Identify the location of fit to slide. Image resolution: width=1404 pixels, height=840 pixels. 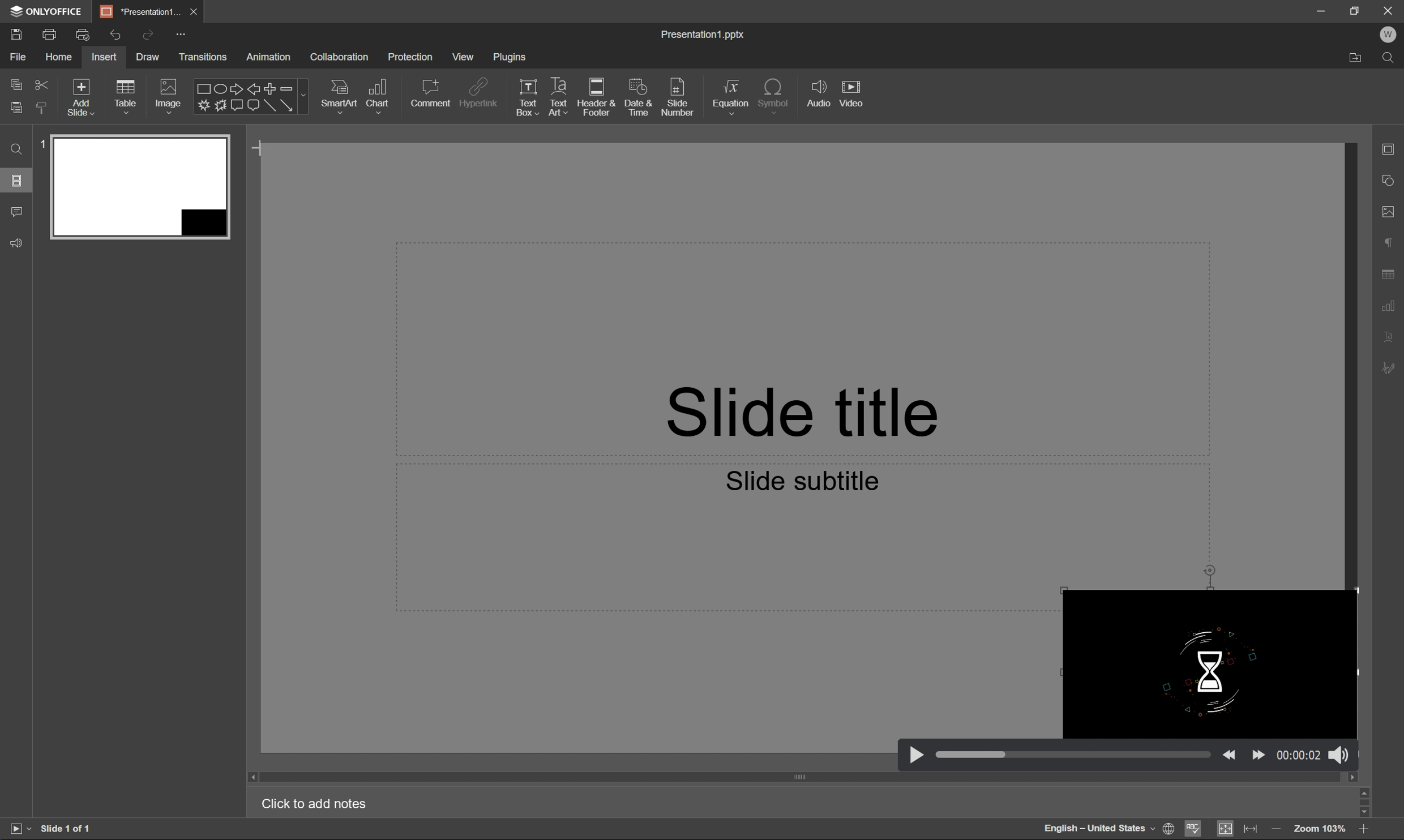
(1224, 829).